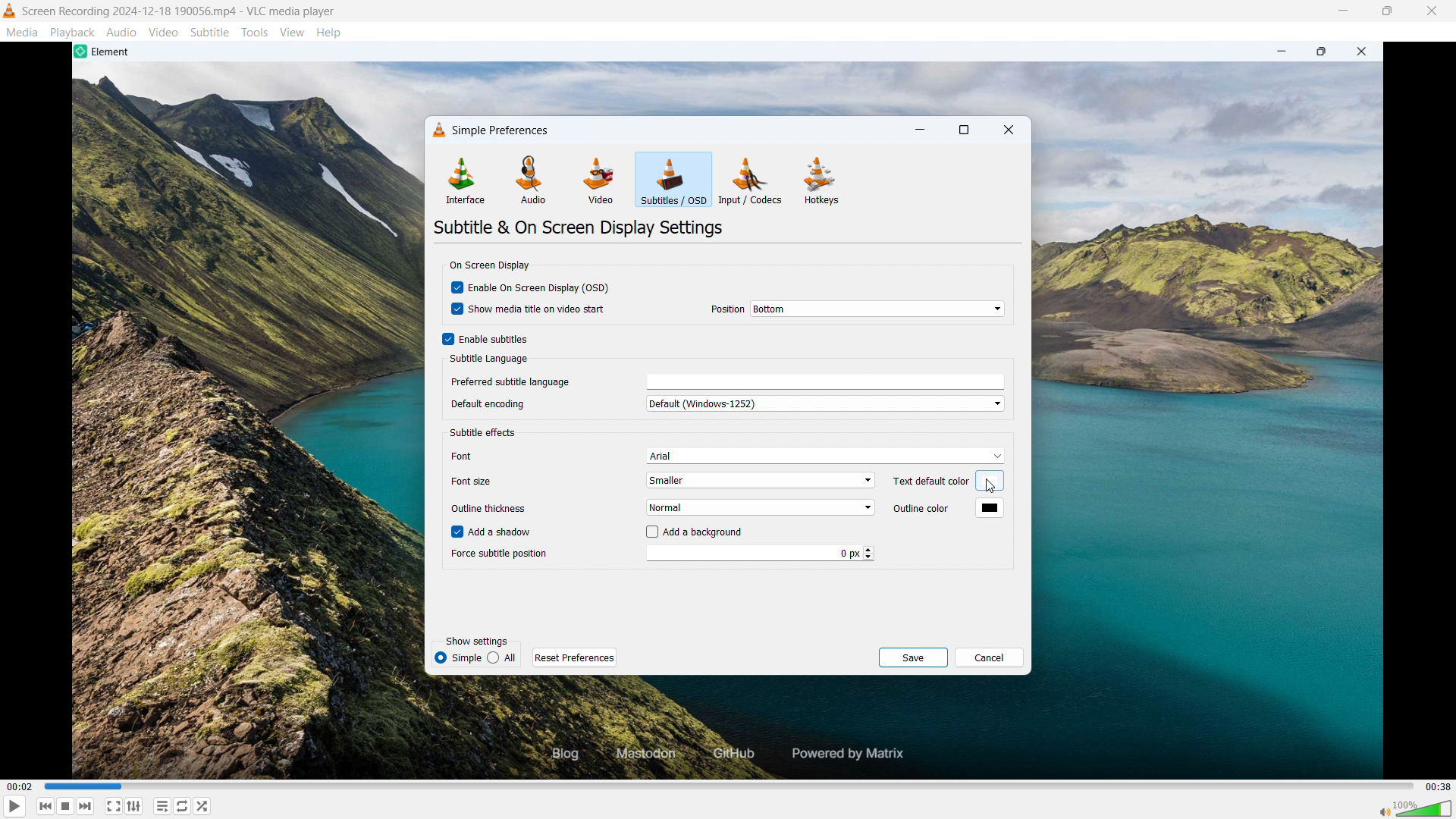  I want to click on Sound bar , so click(1416, 808).